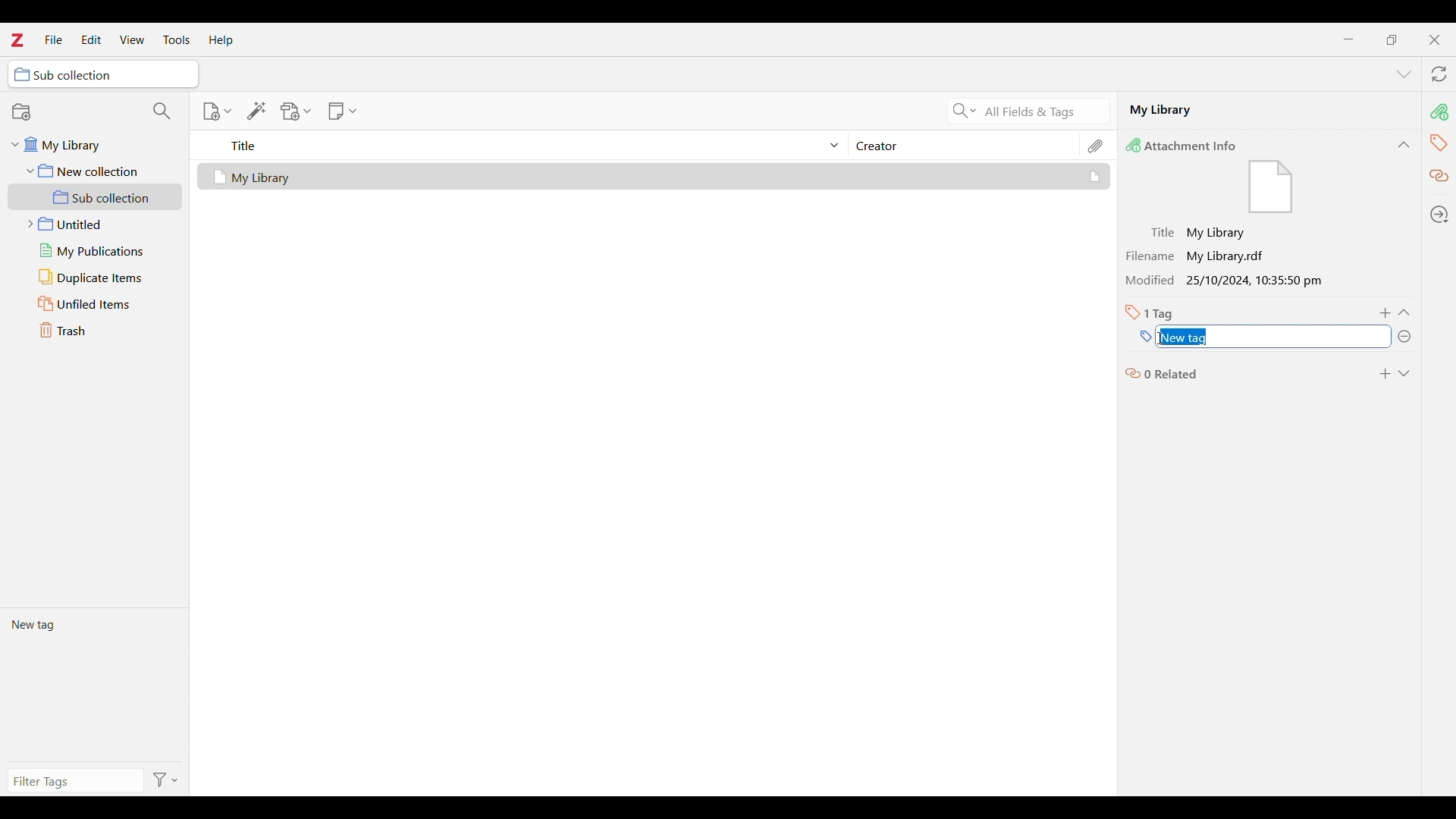 The image size is (1456, 819). I want to click on Attachment Info, so click(1185, 145).